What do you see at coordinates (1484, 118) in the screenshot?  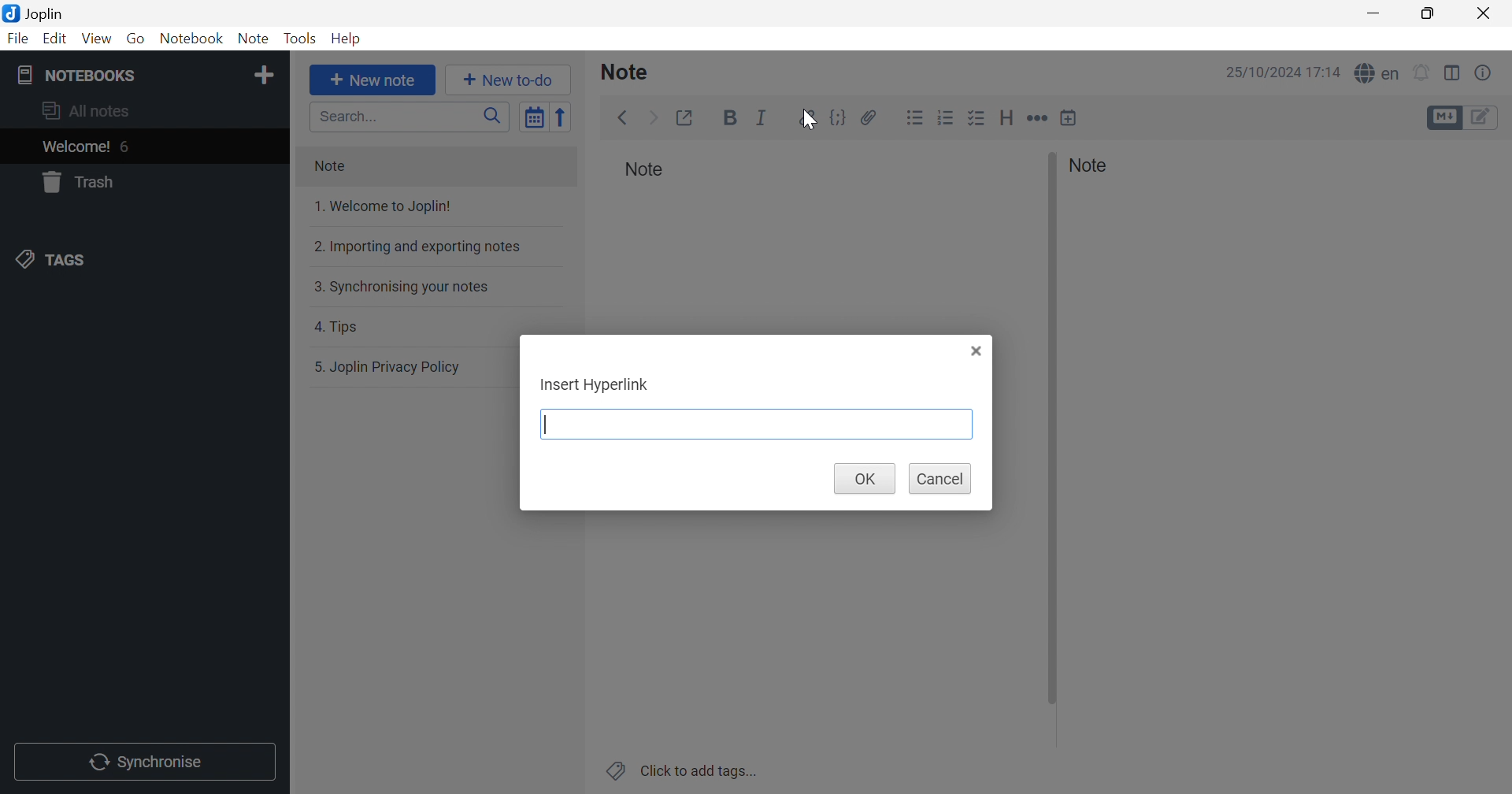 I see `Toggle editors` at bounding box center [1484, 118].